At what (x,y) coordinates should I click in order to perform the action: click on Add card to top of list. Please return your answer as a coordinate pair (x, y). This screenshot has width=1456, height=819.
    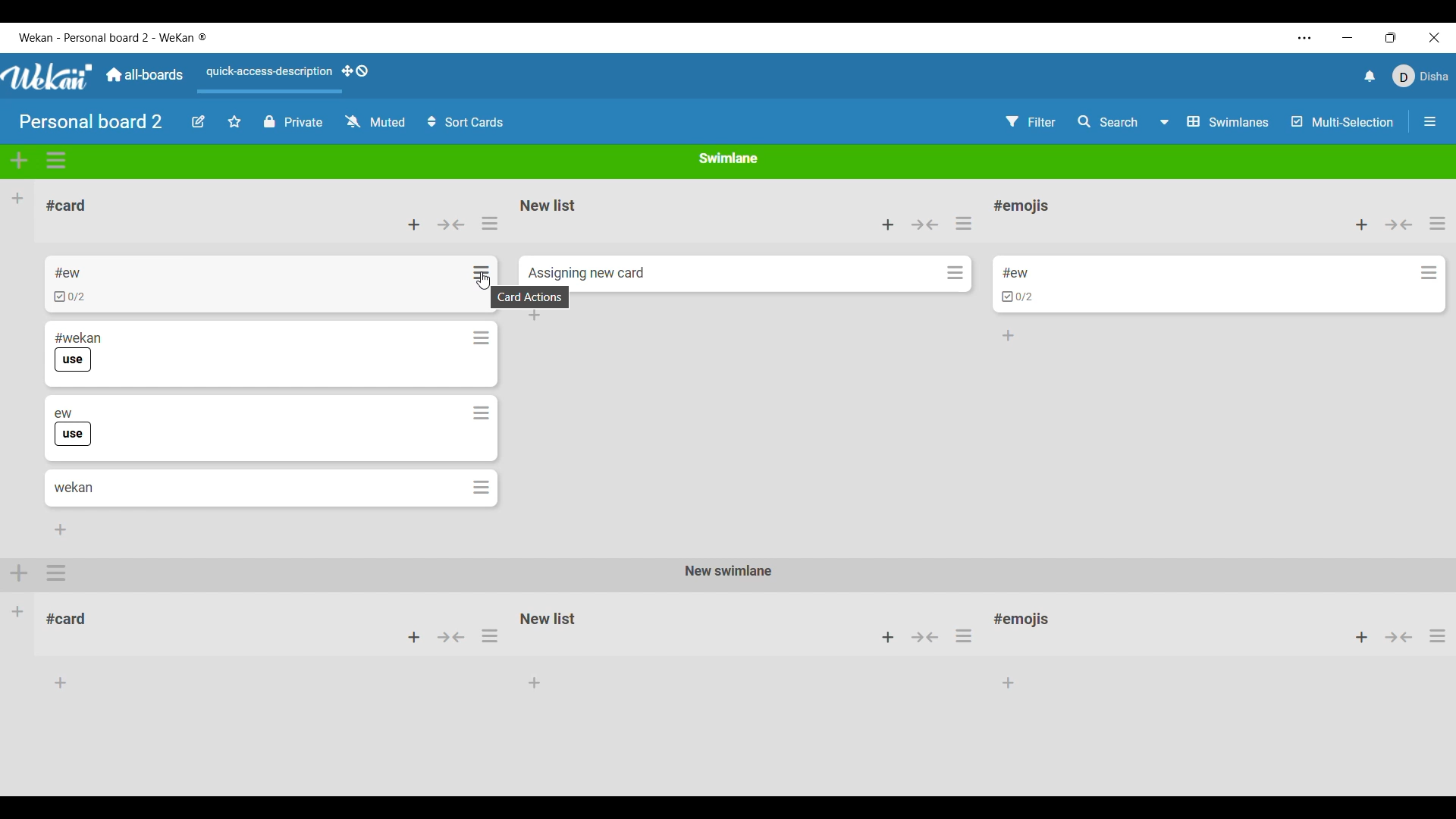
    Looking at the image, I should click on (414, 224).